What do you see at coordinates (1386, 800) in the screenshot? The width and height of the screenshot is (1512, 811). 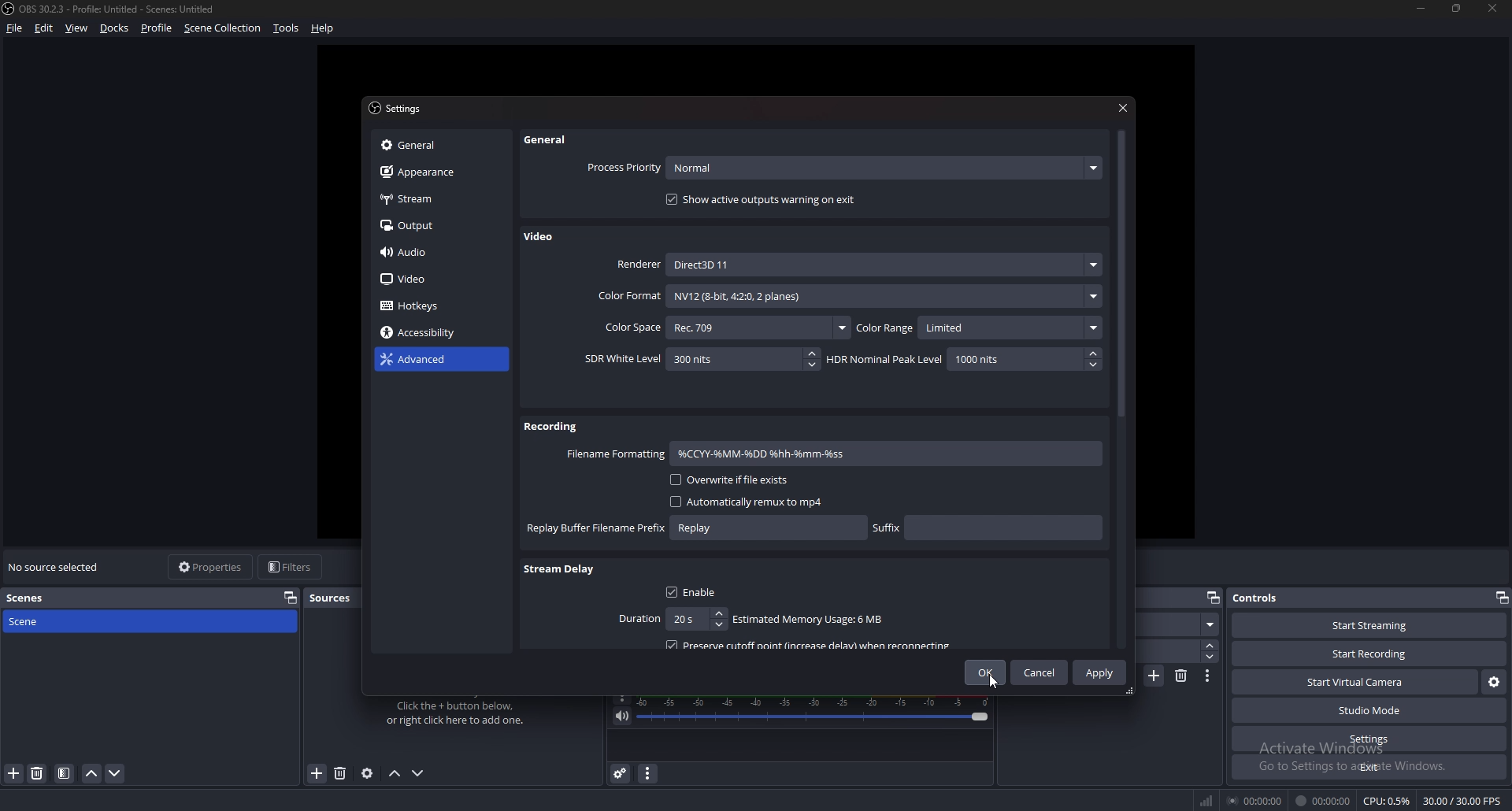 I see `CPU: 0.5%` at bounding box center [1386, 800].